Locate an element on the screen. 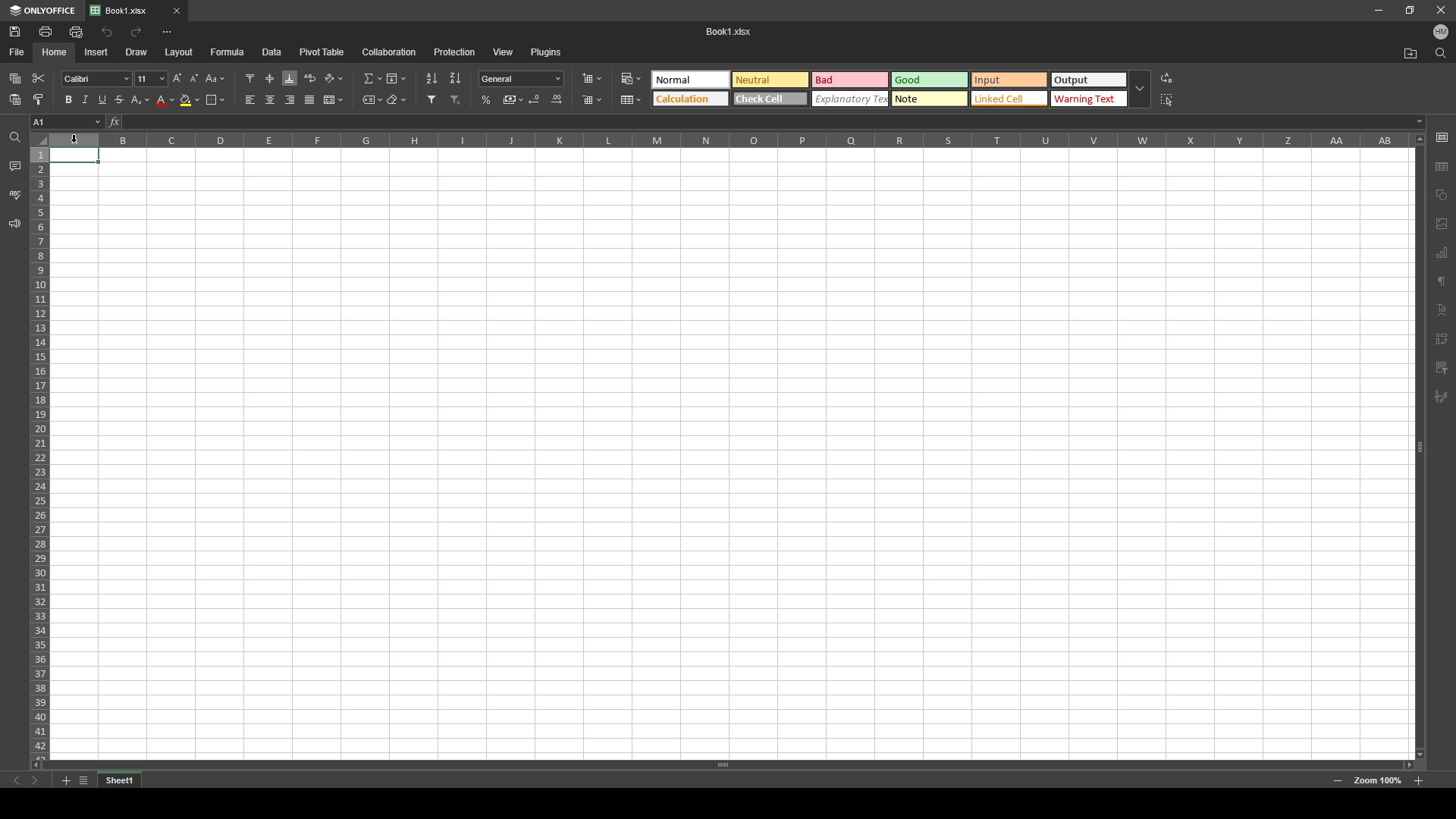  font style is located at coordinates (96, 80).